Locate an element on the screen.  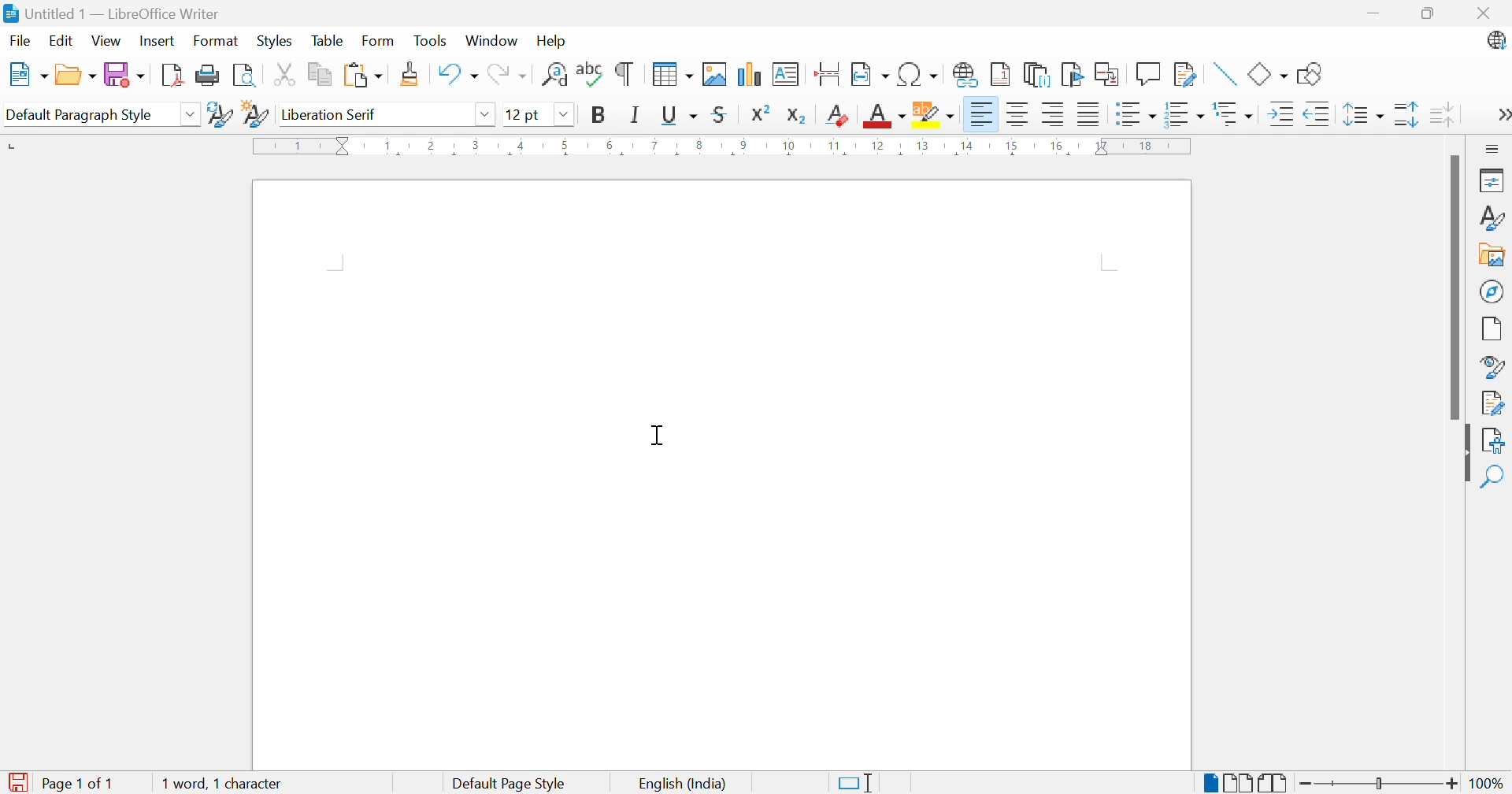
Set line spacing is located at coordinates (1362, 114).